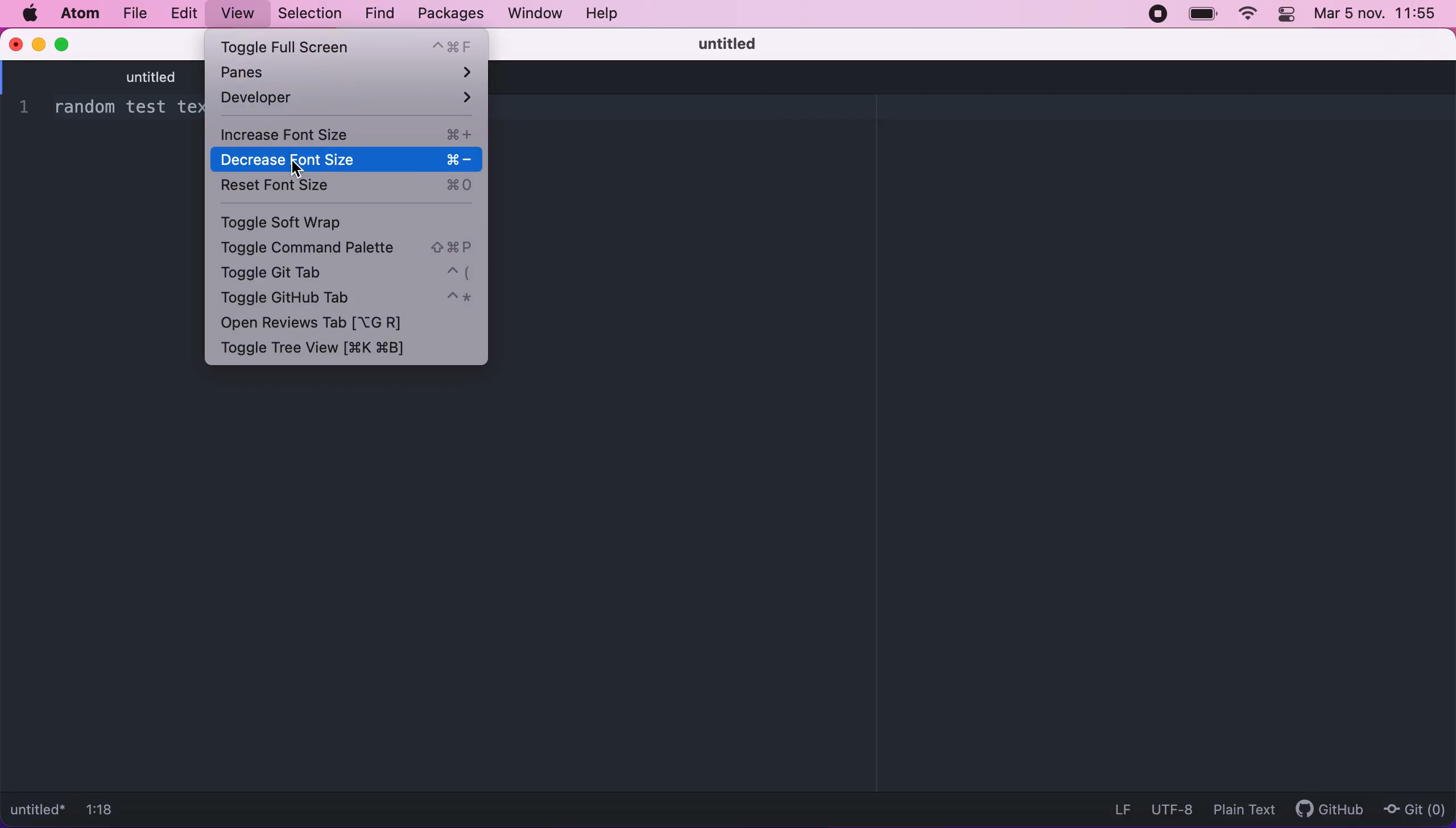 The width and height of the screenshot is (1456, 828). Describe the element at coordinates (333, 324) in the screenshot. I see `open reviews tab` at that location.